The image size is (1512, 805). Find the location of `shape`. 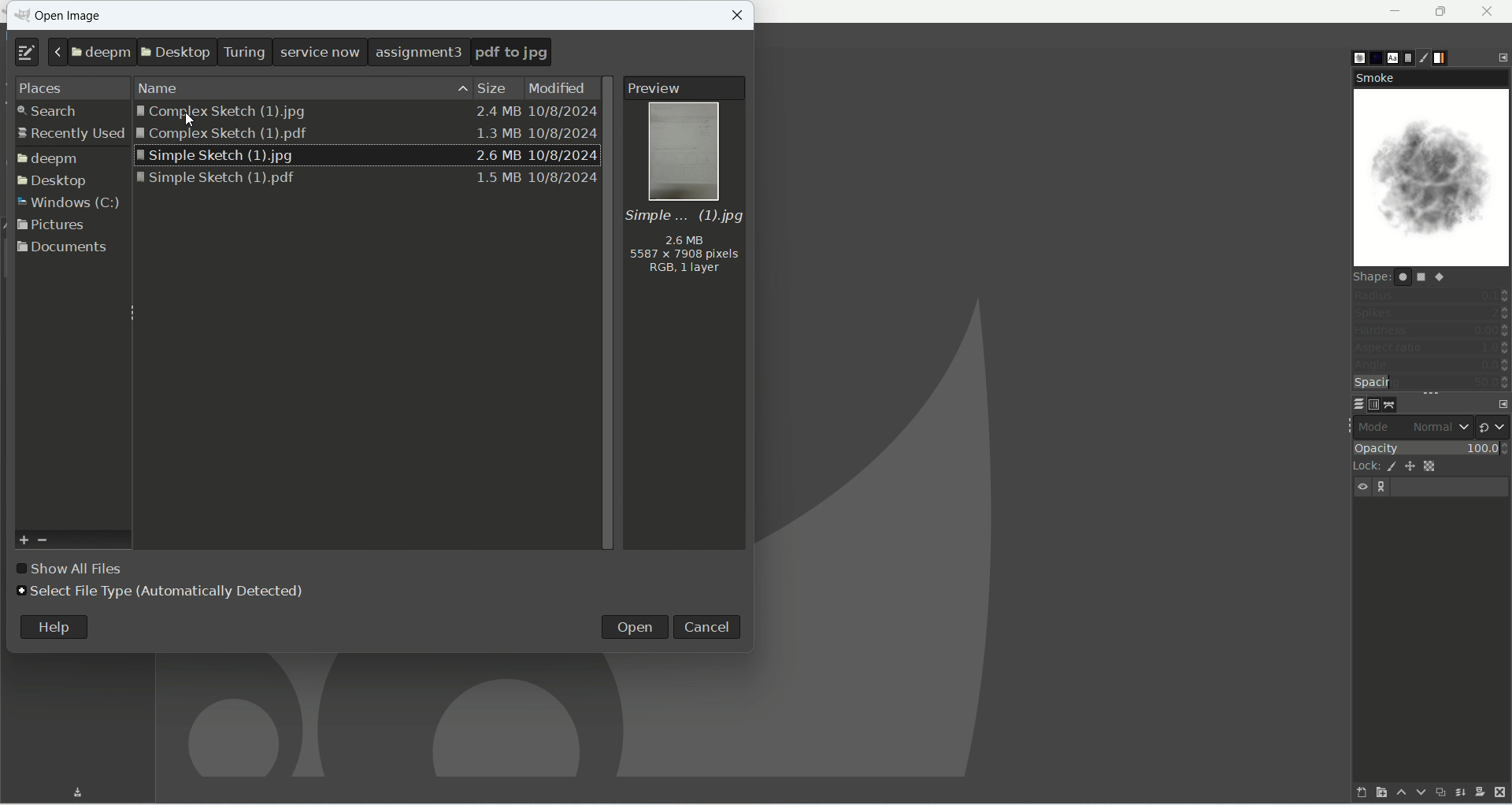

shape is located at coordinates (1432, 276).